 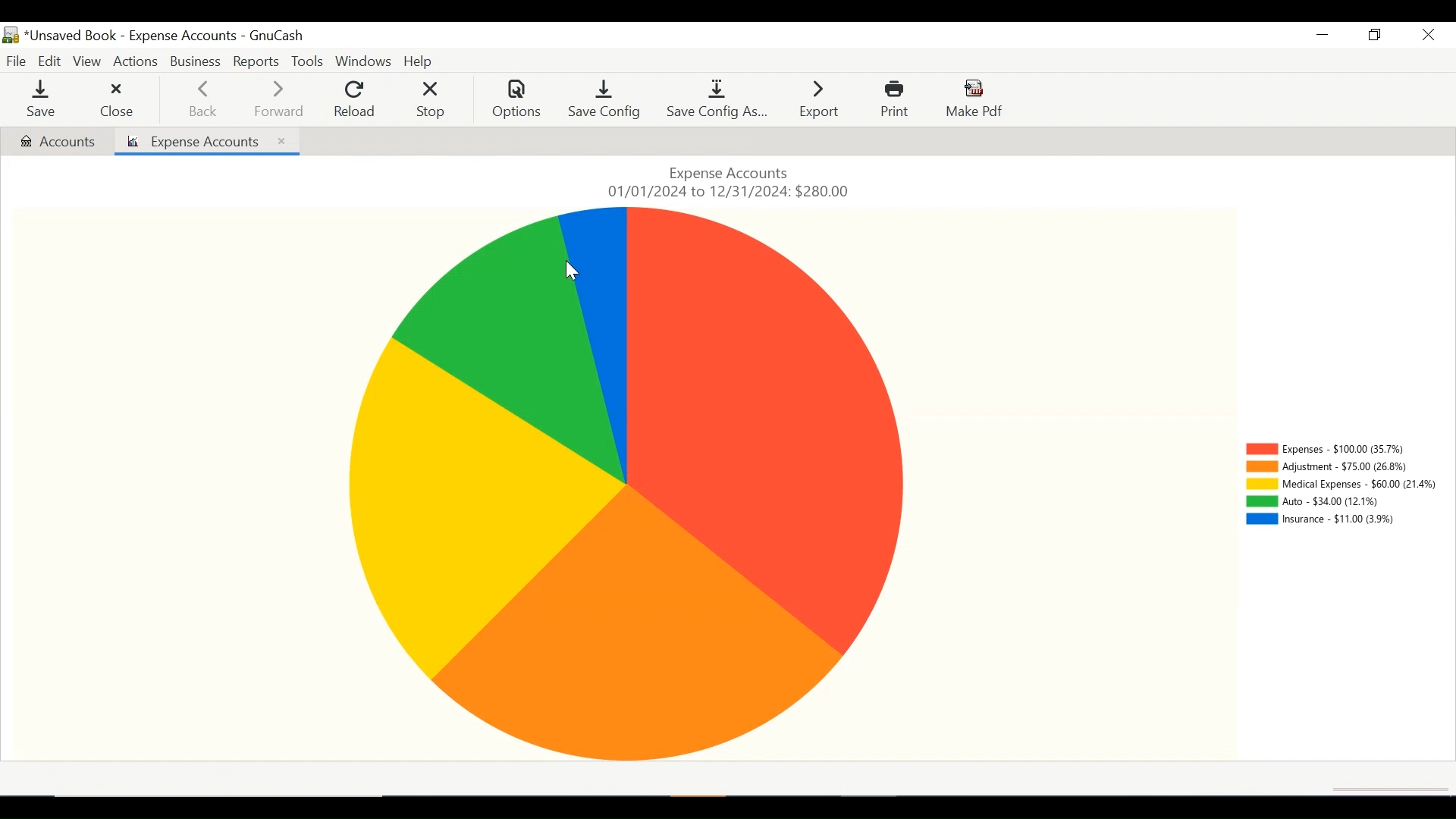 What do you see at coordinates (820, 99) in the screenshot?
I see `Export` at bounding box center [820, 99].